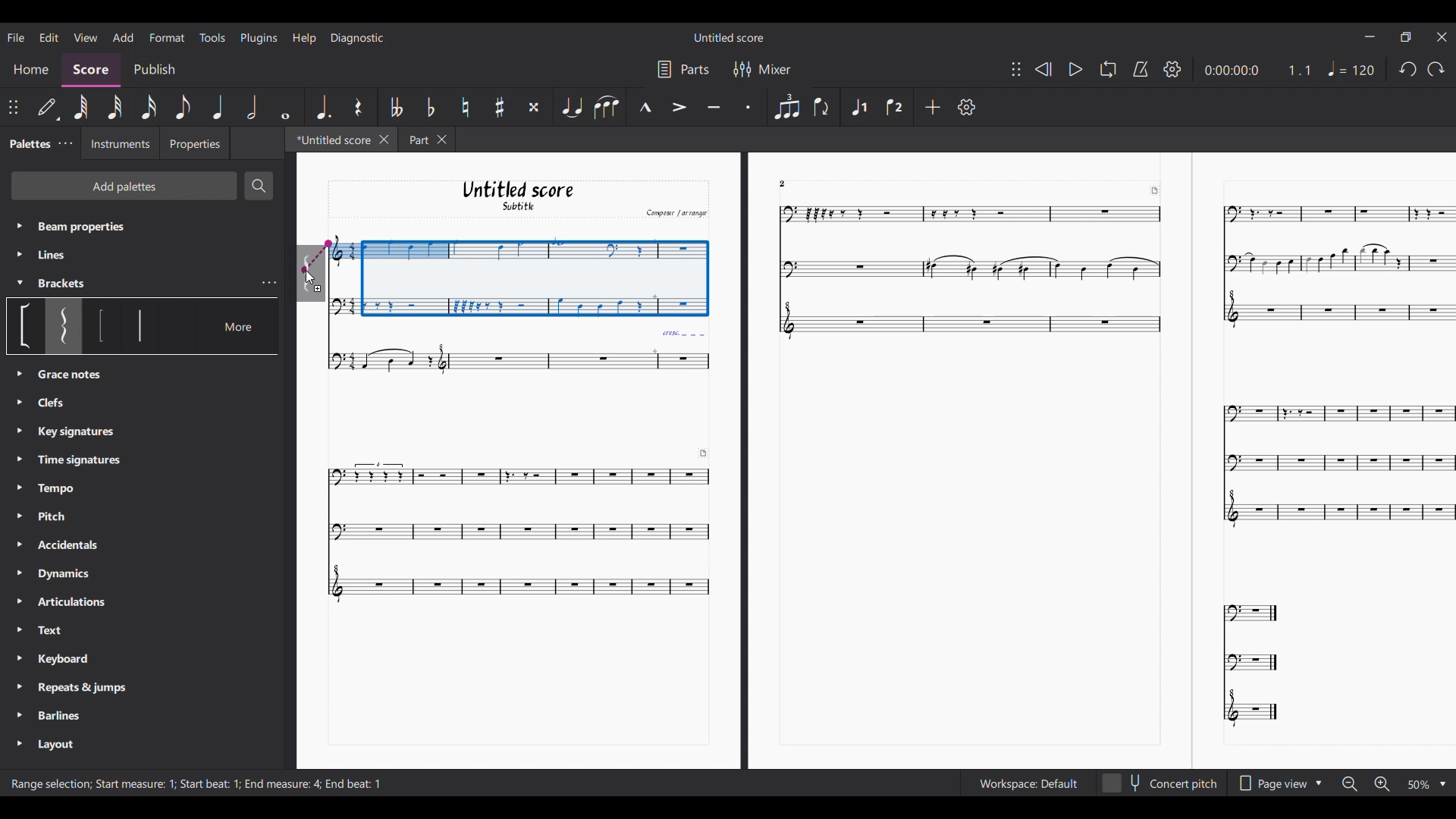 Image resolution: width=1456 pixels, height=819 pixels. Describe the element at coordinates (124, 185) in the screenshot. I see `Add palette` at that location.